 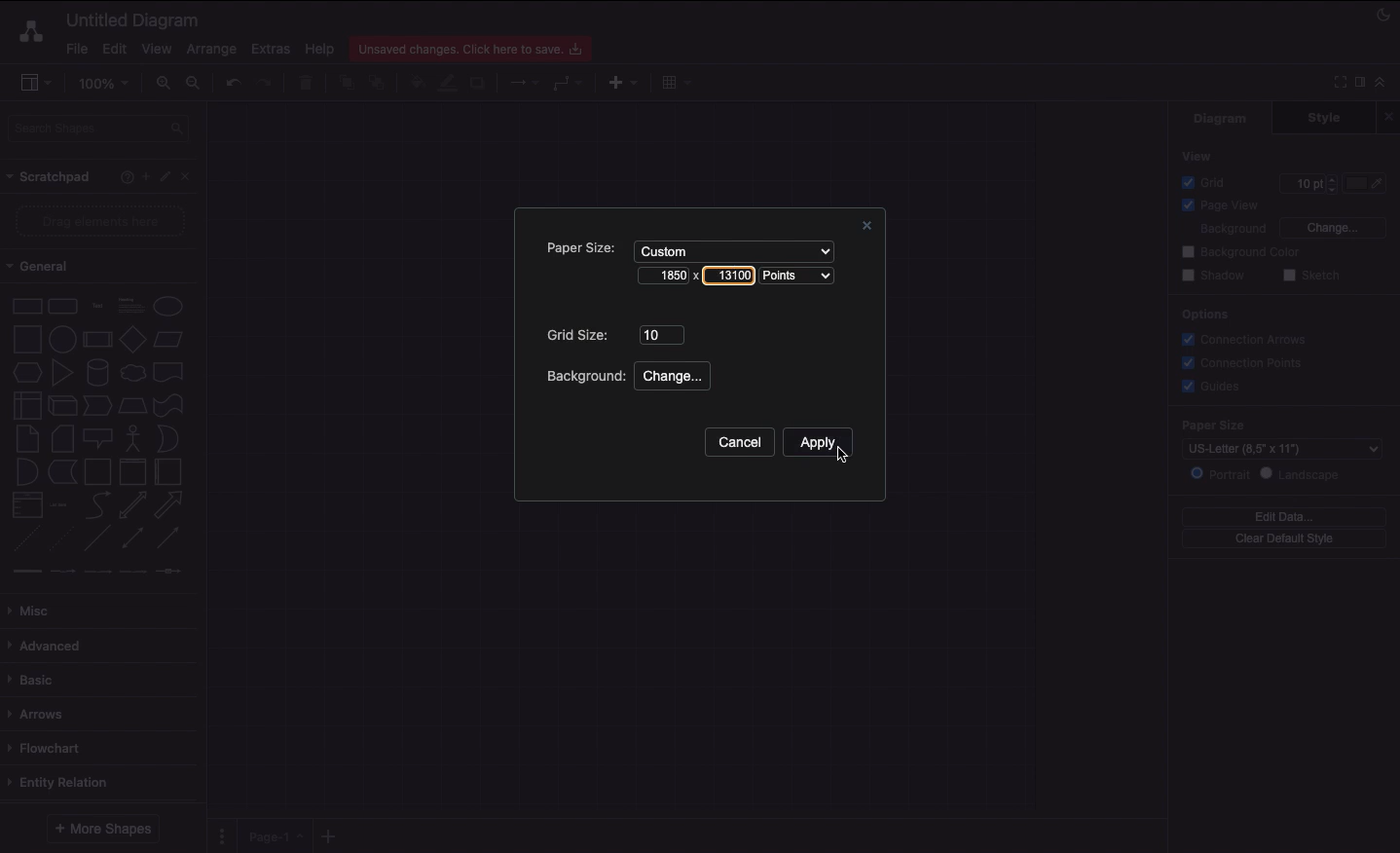 What do you see at coordinates (479, 82) in the screenshot?
I see `Shadow` at bounding box center [479, 82].